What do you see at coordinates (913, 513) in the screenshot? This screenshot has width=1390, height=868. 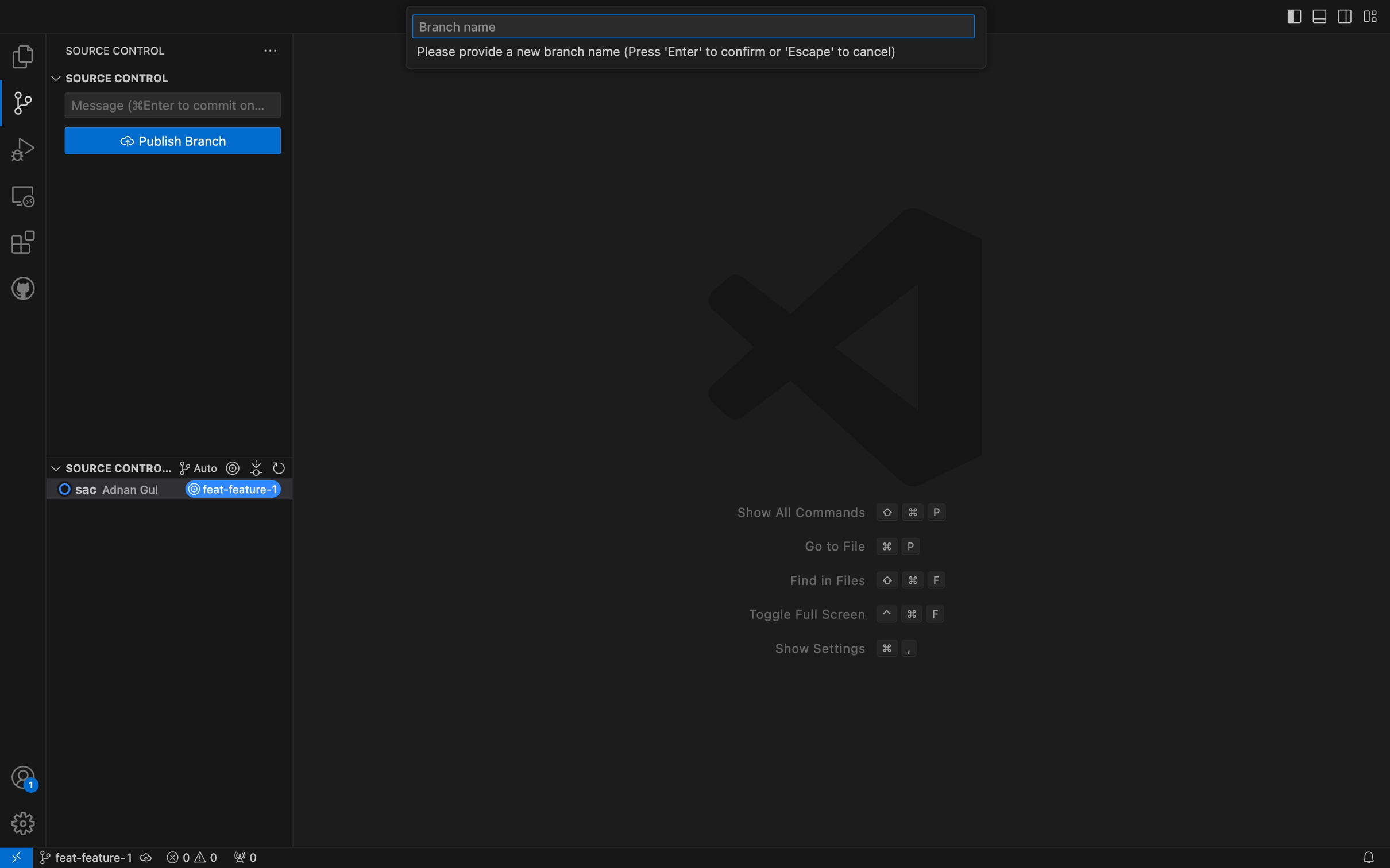 I see `Command` at bounding box center [913, 513].